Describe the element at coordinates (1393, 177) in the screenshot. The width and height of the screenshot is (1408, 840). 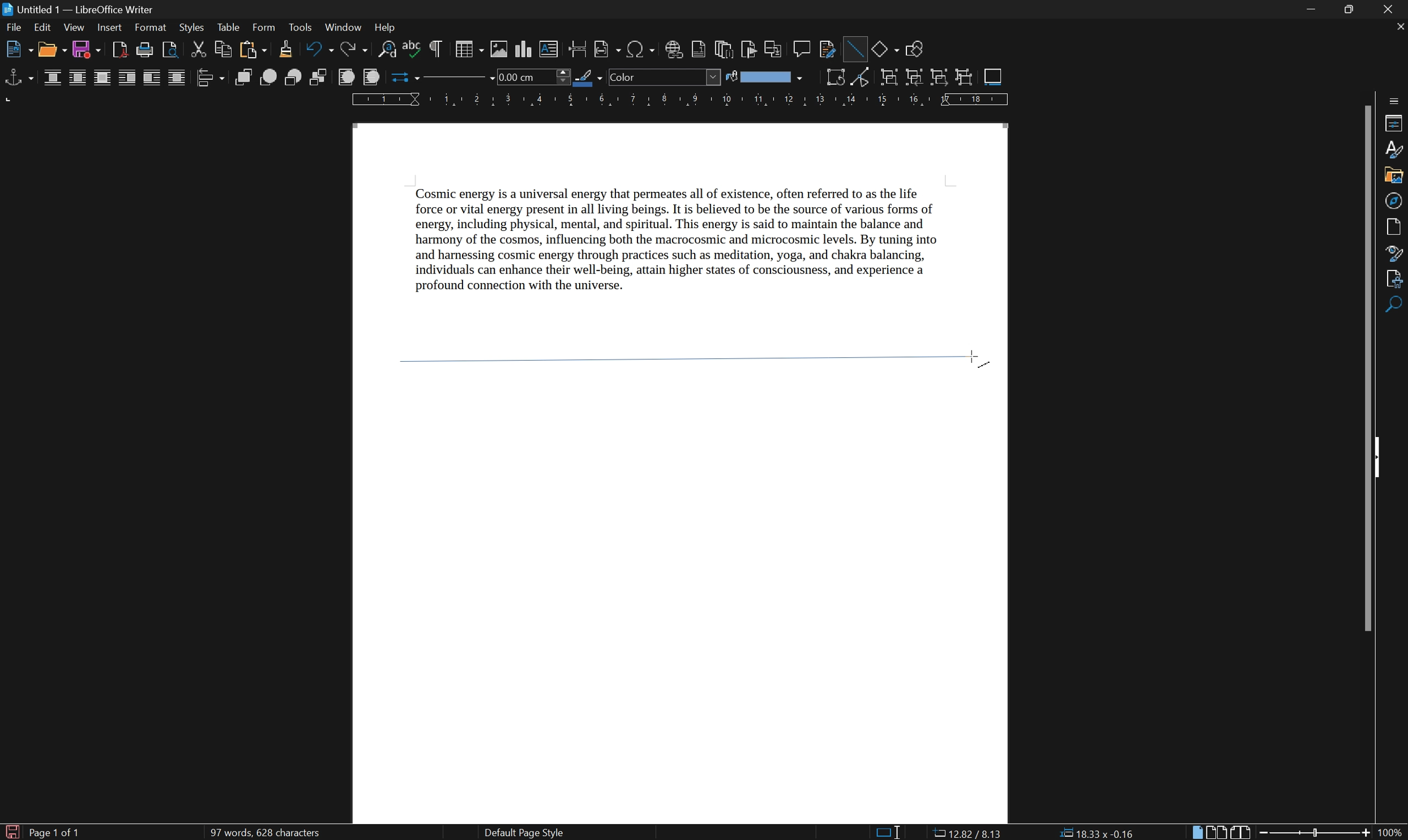
I see `gallery` at that location.